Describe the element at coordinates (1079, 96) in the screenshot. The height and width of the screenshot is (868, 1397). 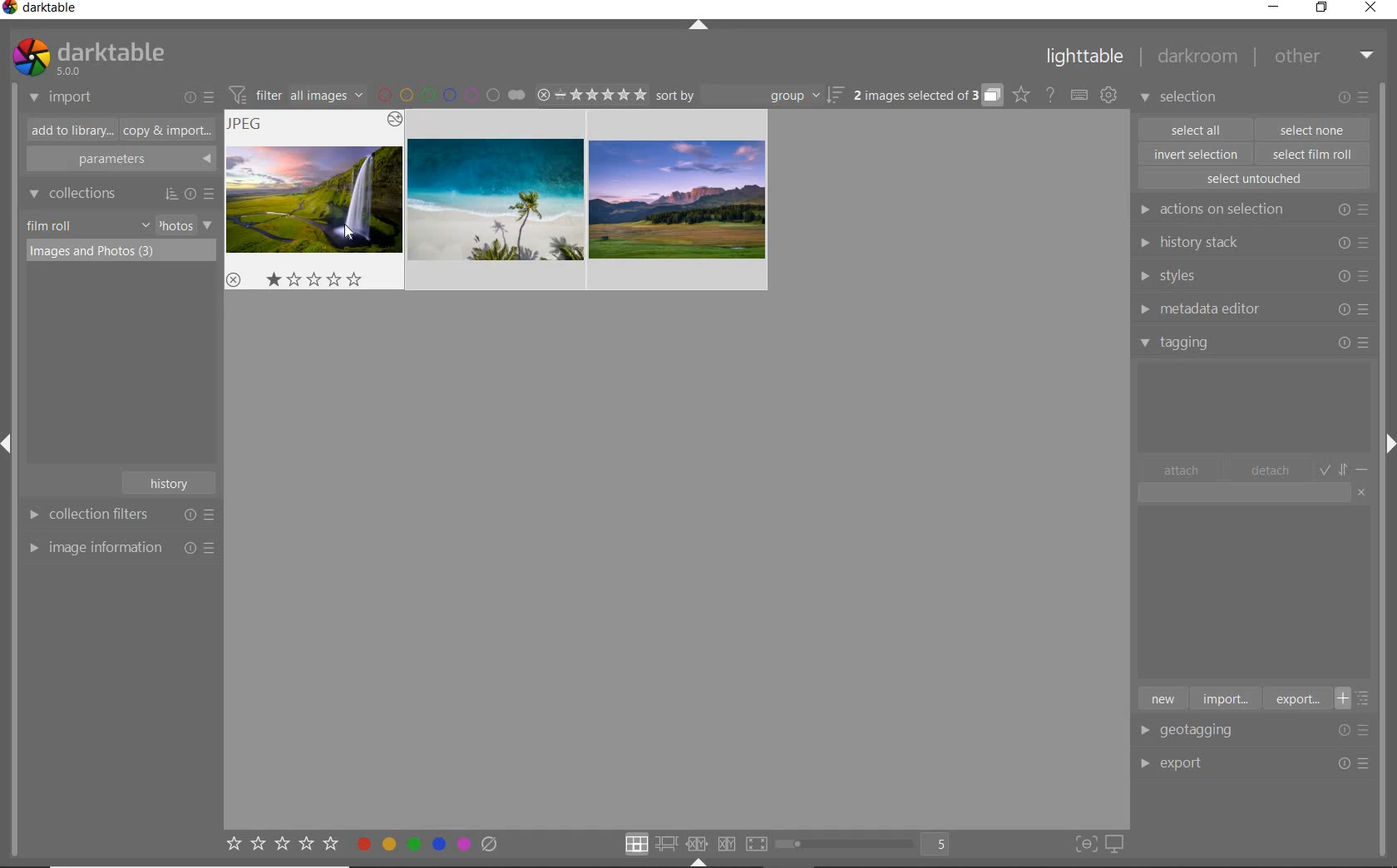
I see `set keyboard shortcut` at that location.